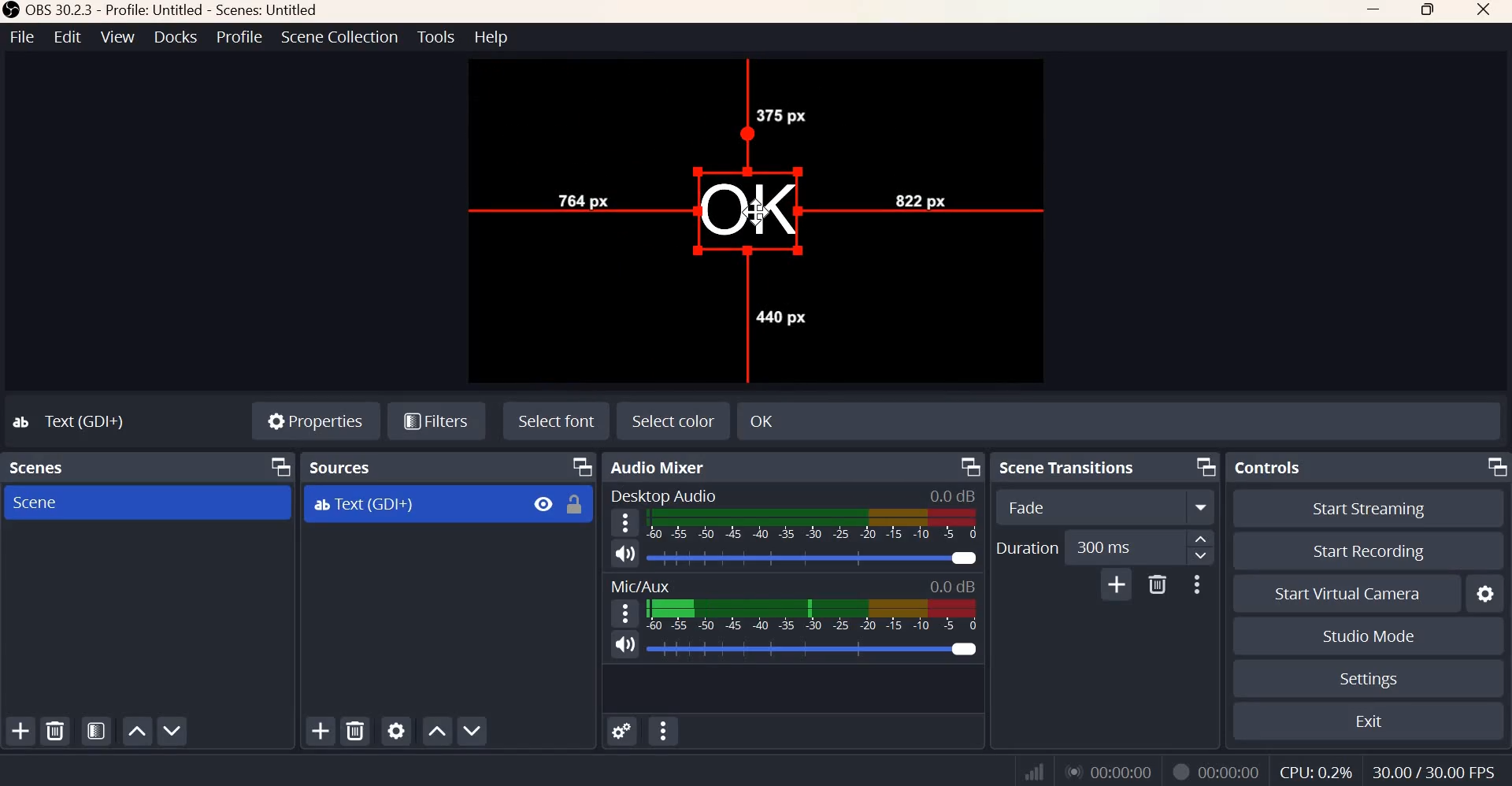  What do you see at coordinates (757, 213) in the screenshot?
I see `move cursor` at bounding box center [757, 213].